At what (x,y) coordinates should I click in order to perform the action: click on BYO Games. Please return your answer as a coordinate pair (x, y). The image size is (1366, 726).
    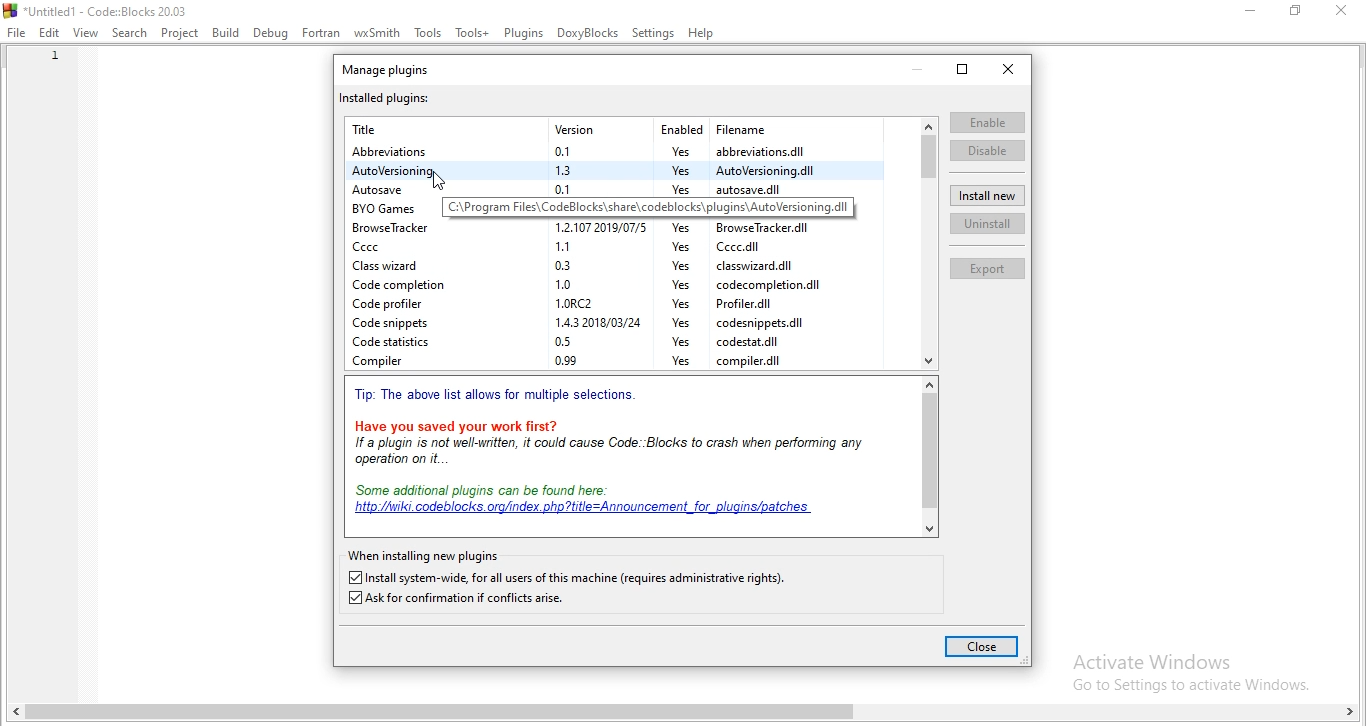
    Looking at the image, I should click on (385, 210).